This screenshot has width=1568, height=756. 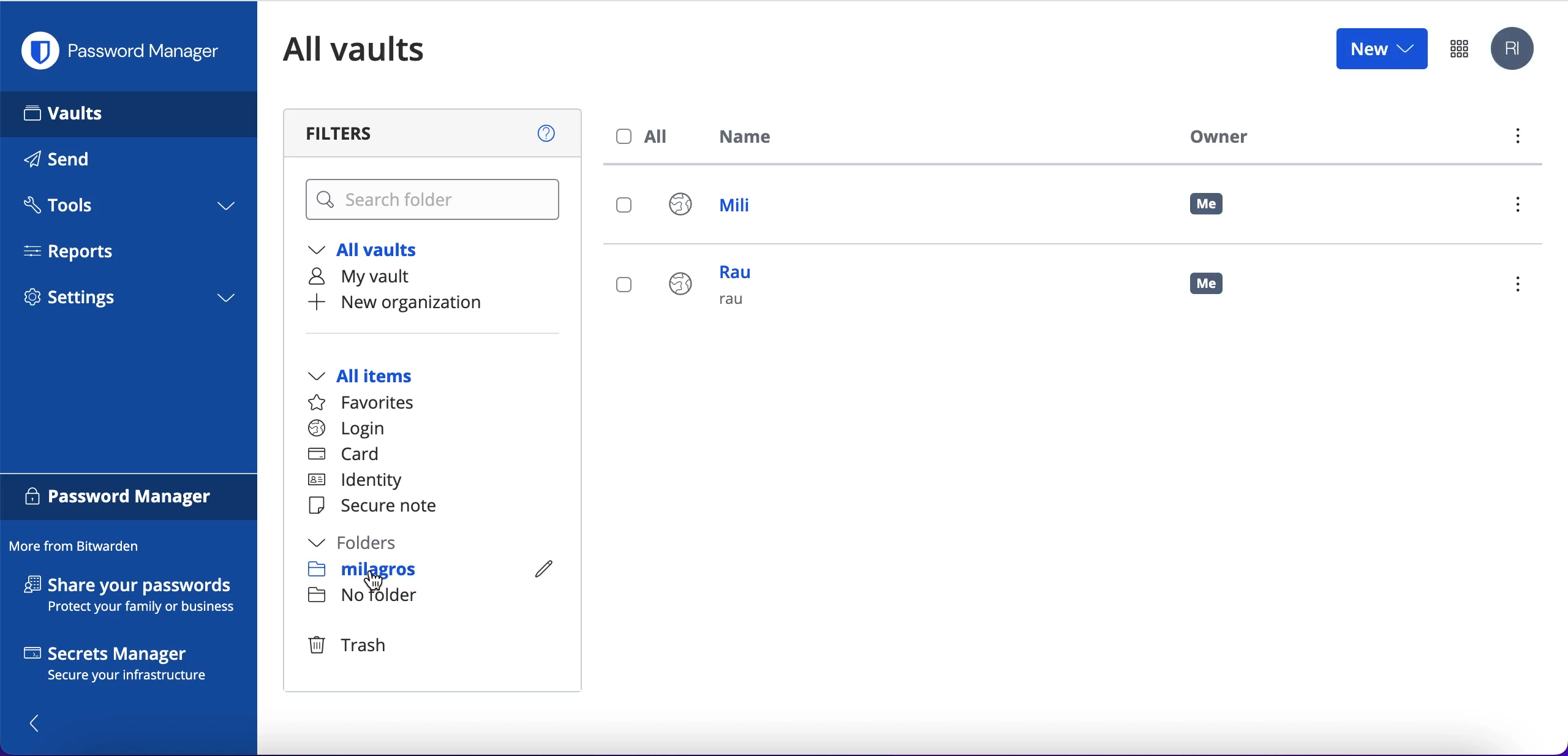 I want to click on send, so click(x=75, y=162).